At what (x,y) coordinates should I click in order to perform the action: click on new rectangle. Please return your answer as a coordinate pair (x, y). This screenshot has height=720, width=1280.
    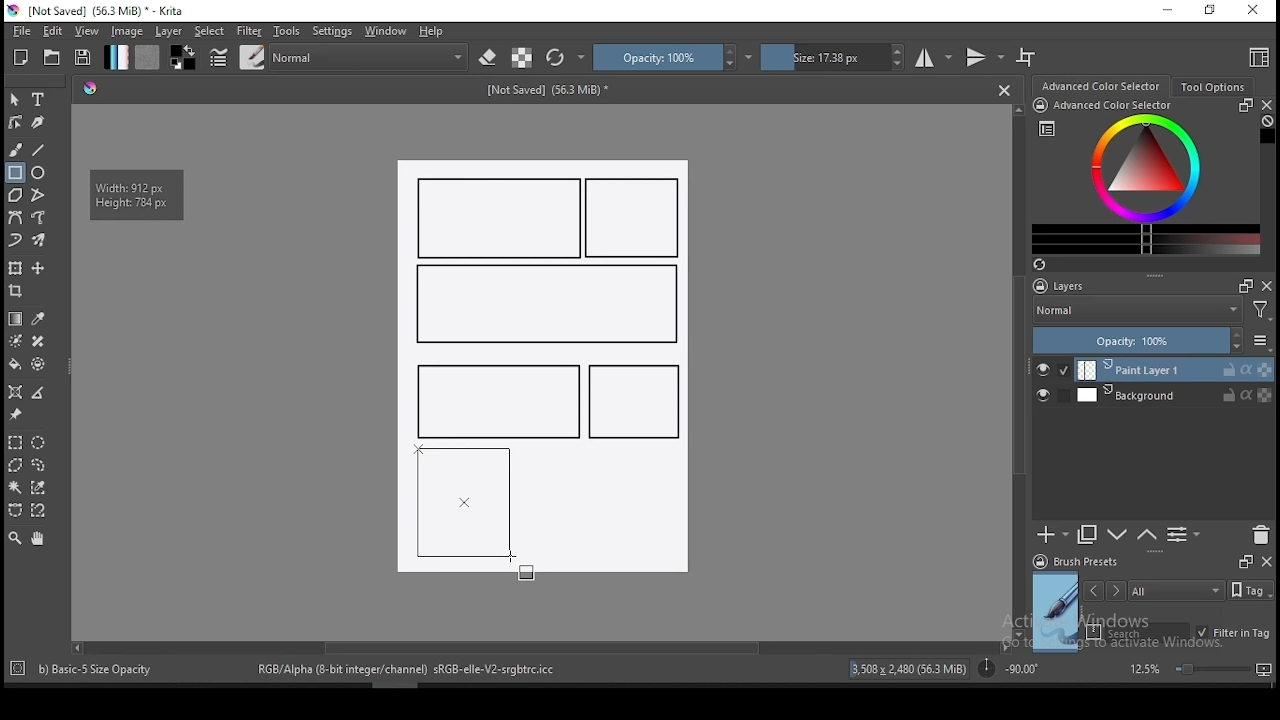
    Looking at the image, I should click on (634, 402).